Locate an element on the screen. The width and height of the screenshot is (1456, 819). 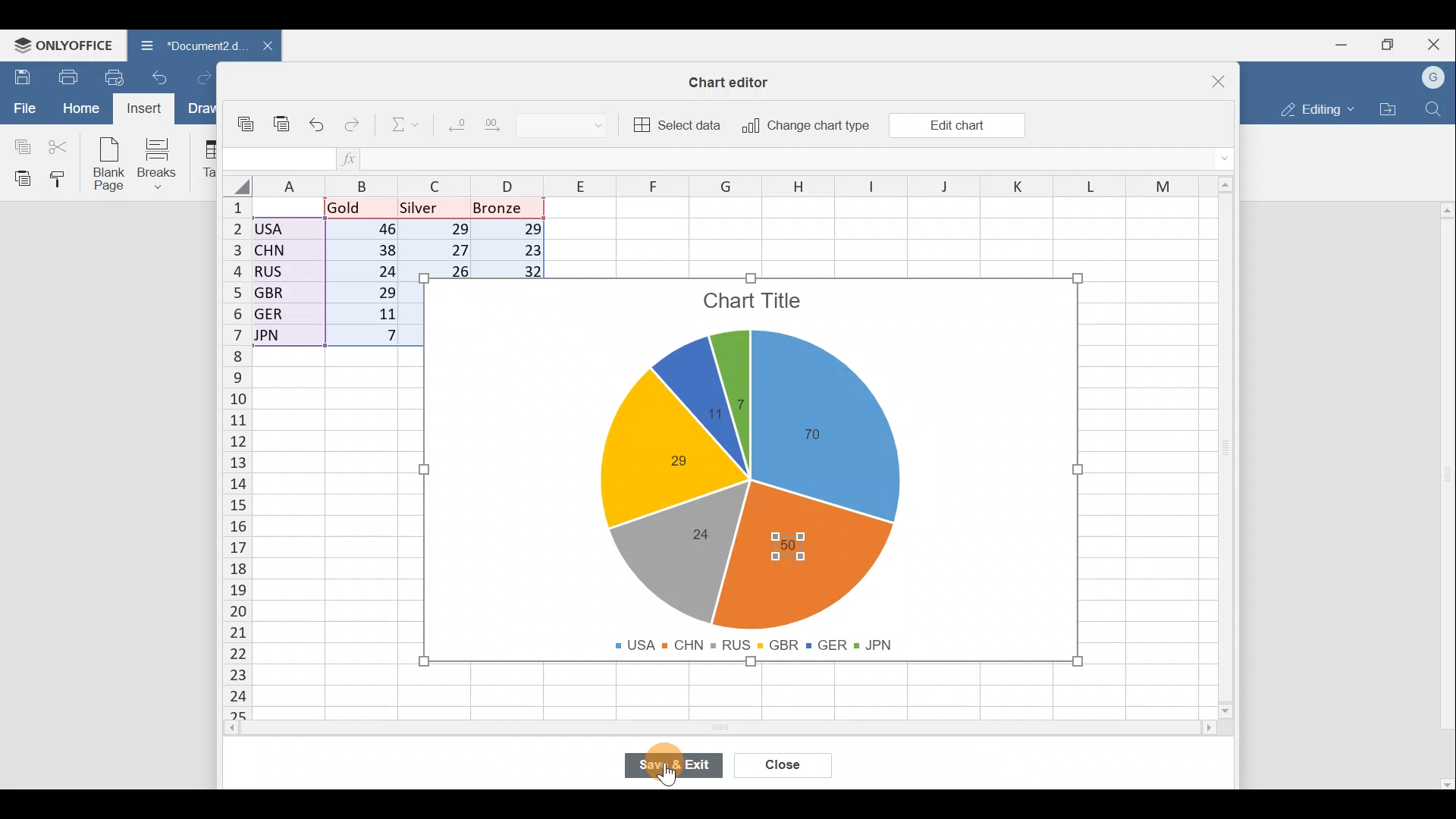
Cell name is located at coordinates (277, 159).